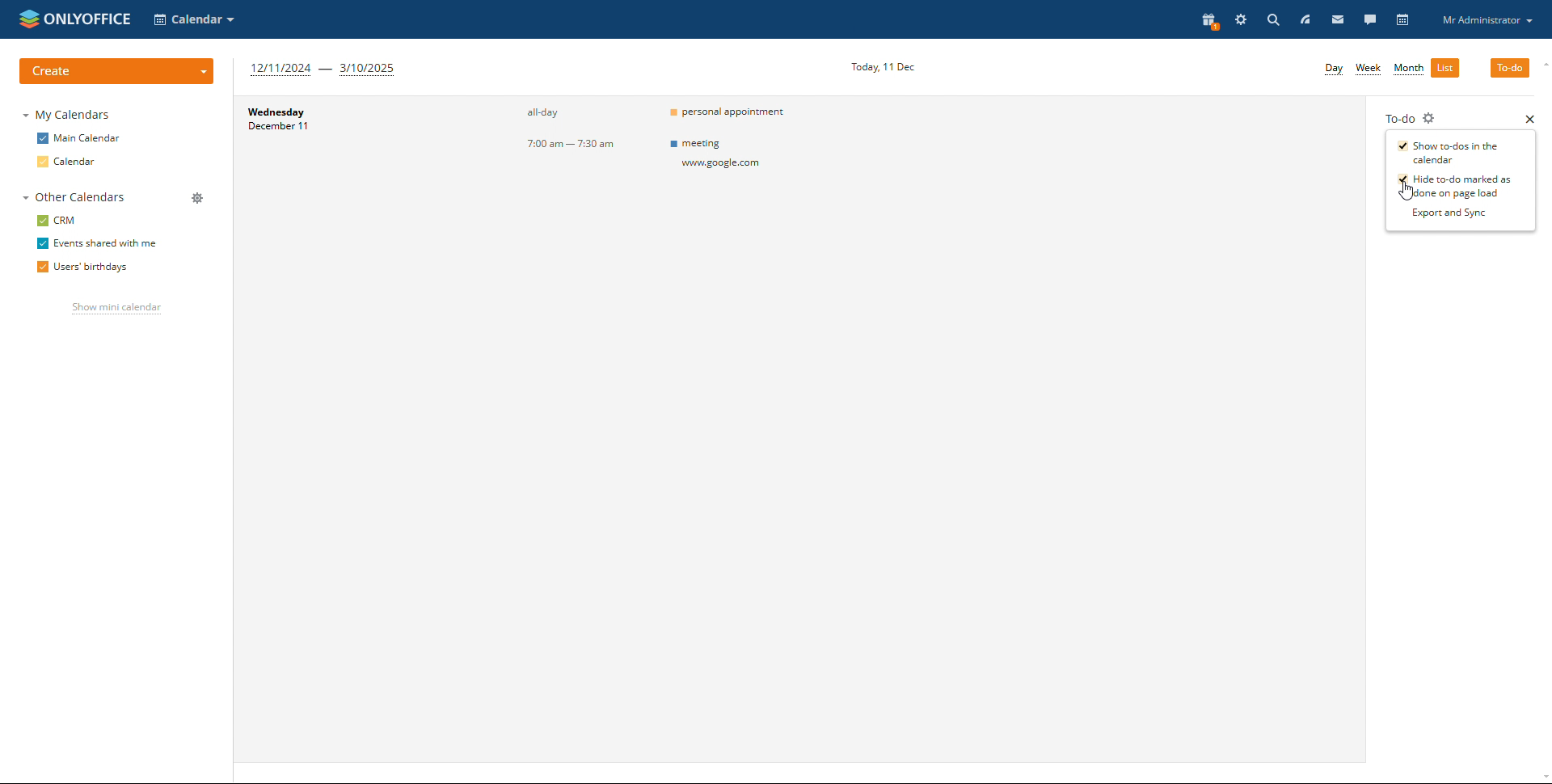 The height and width of the screenshot is (784, 1552). What do you see at coordinates (1402, 20) in the screenshot?
I see `calendar` at bounding box center [1402, 20].